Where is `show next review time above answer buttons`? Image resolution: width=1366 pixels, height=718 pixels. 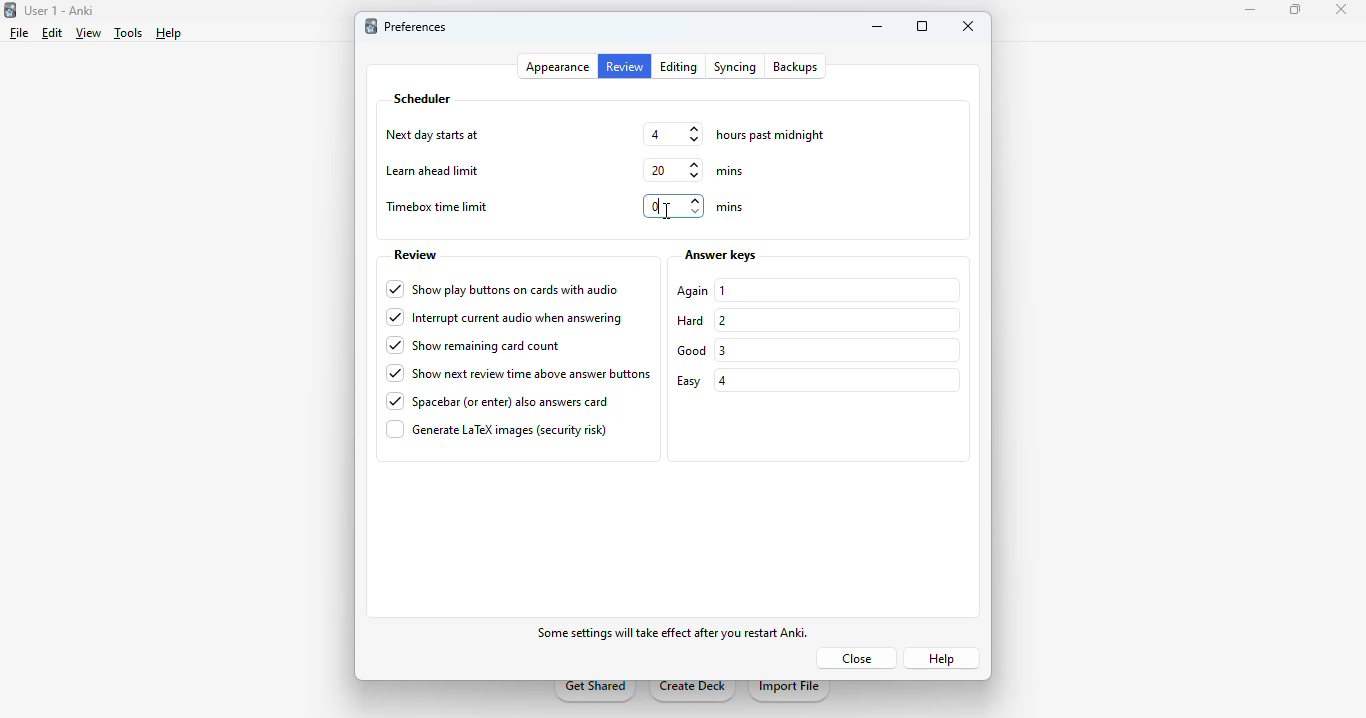 show next review time above answer buttons is located at coordinates (519, 373).